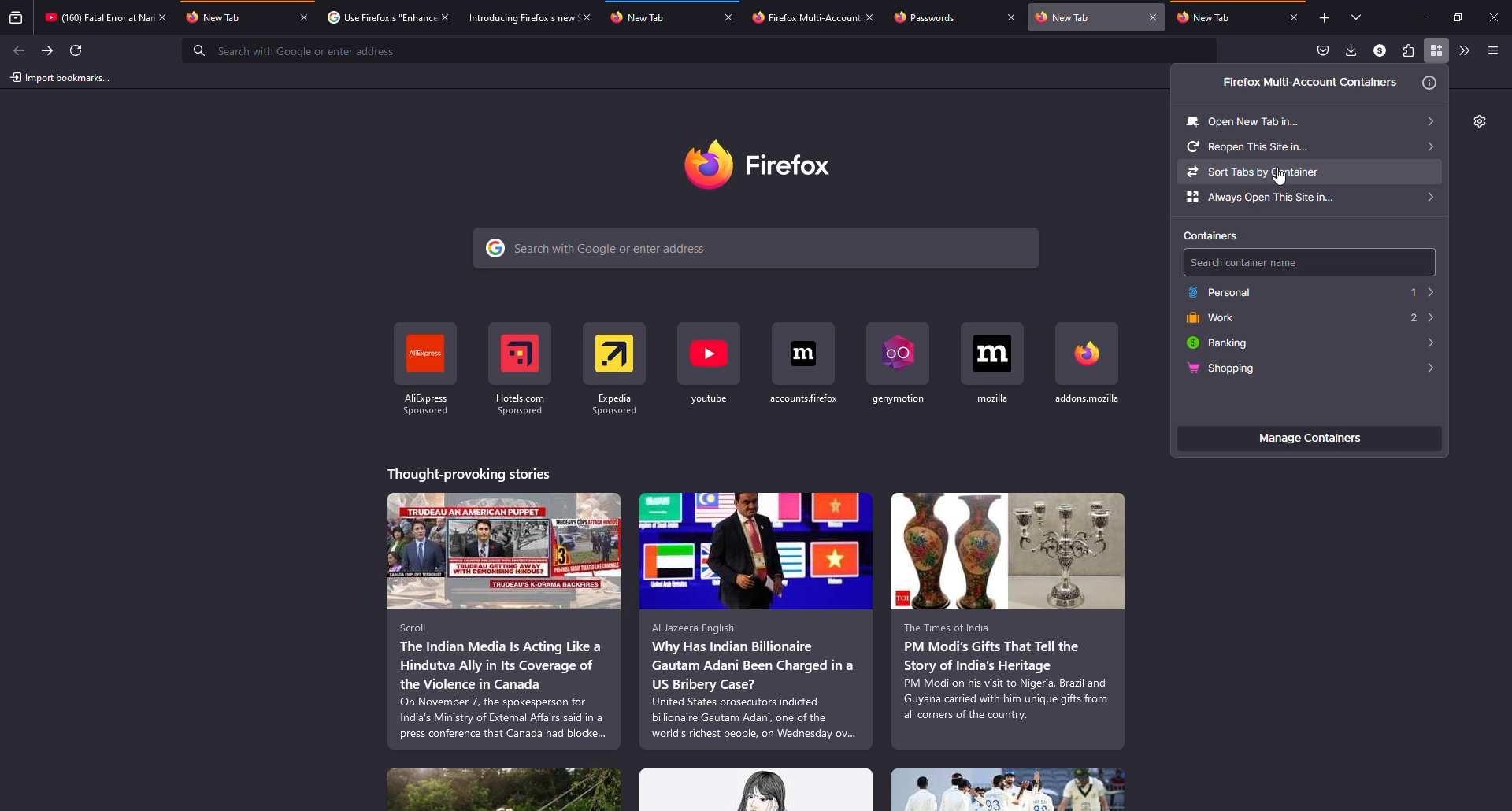  I want to click on tab, so click(93, 17).